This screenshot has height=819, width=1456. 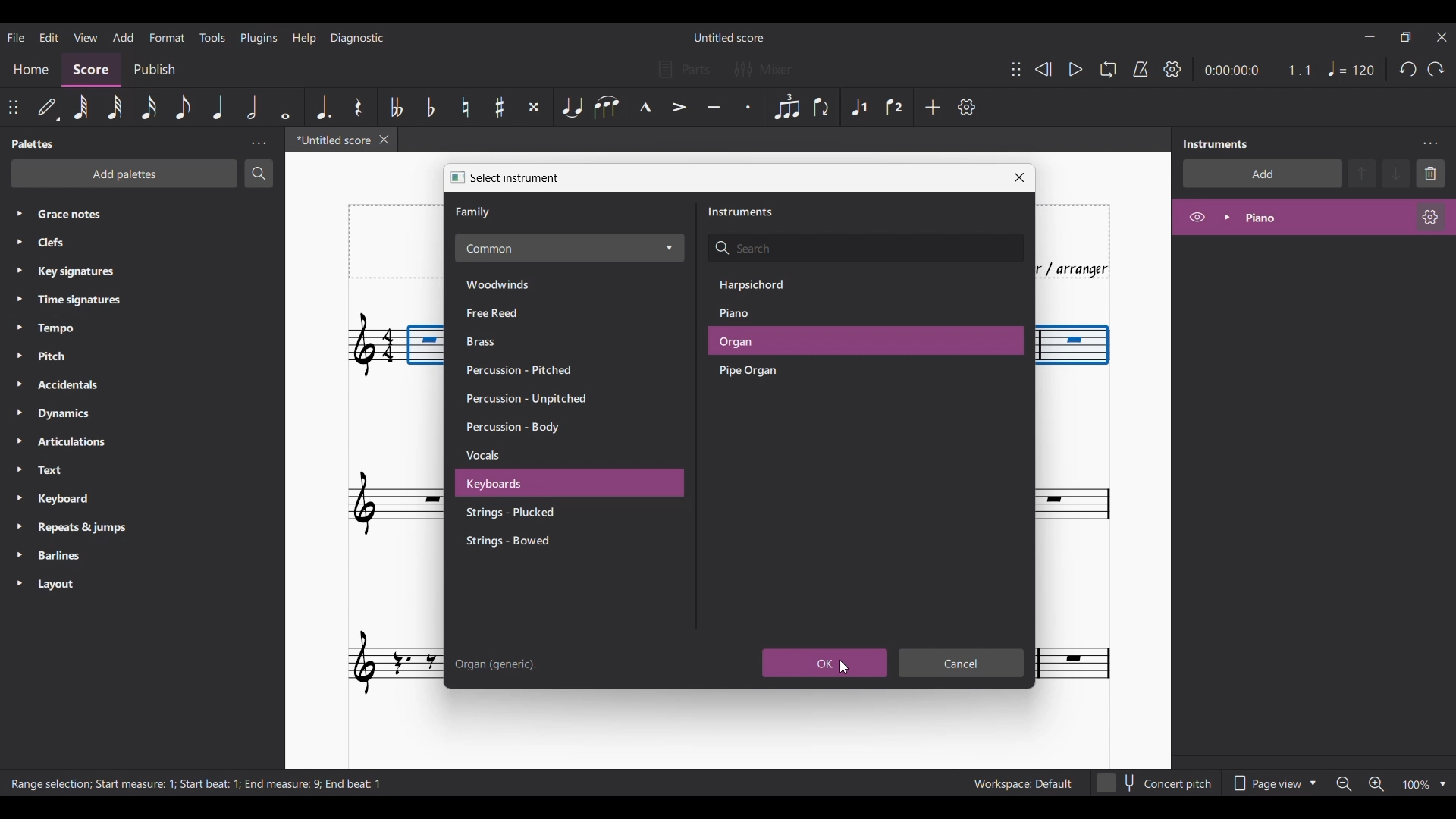 What do you see at coordinates (1156, 783) in the screenshot?
I see `Toggle content pitch` at bounding box center [1156, 783].